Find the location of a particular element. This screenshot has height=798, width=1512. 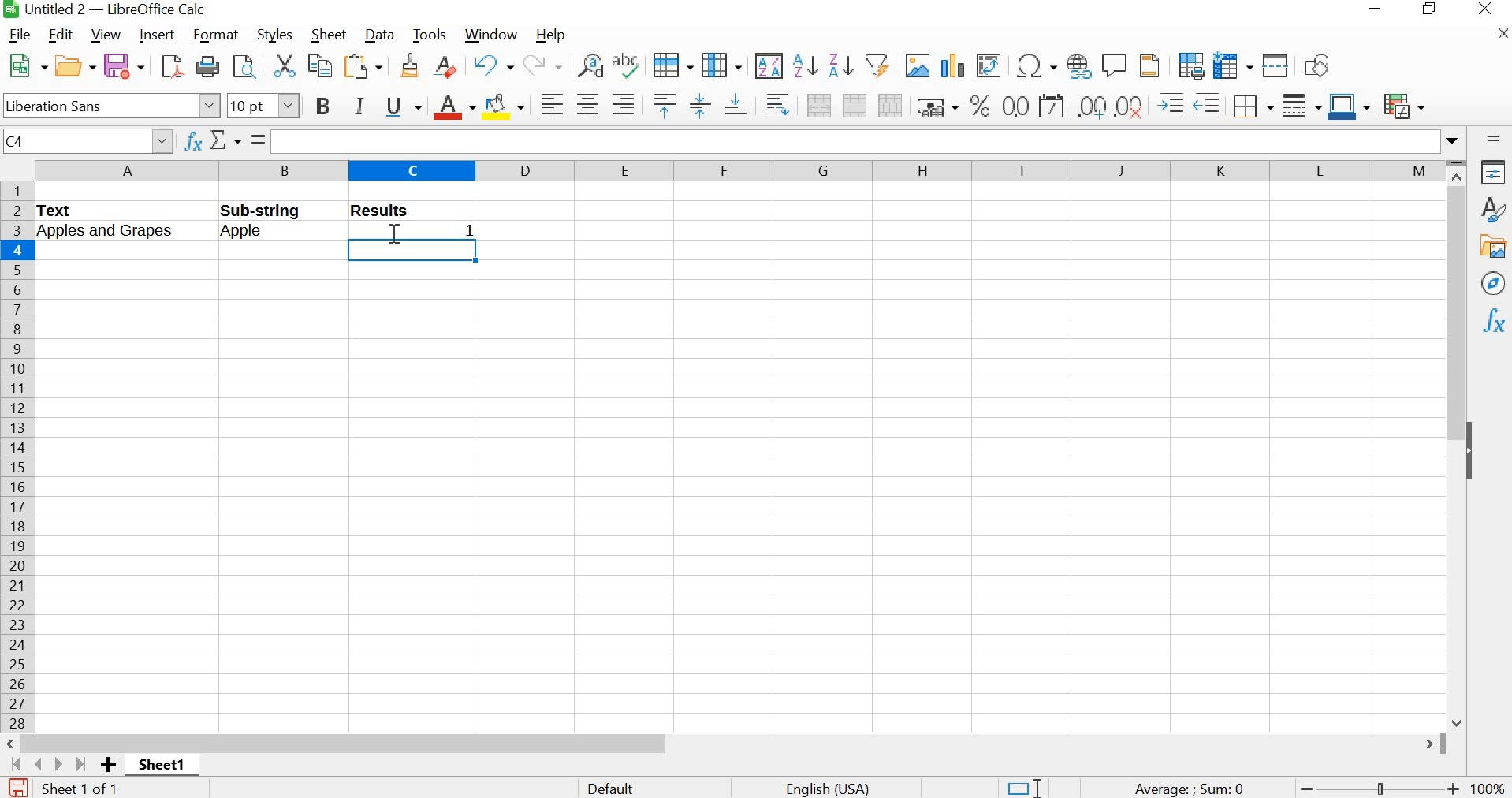

cursor position is located at coordinates (395, 238).